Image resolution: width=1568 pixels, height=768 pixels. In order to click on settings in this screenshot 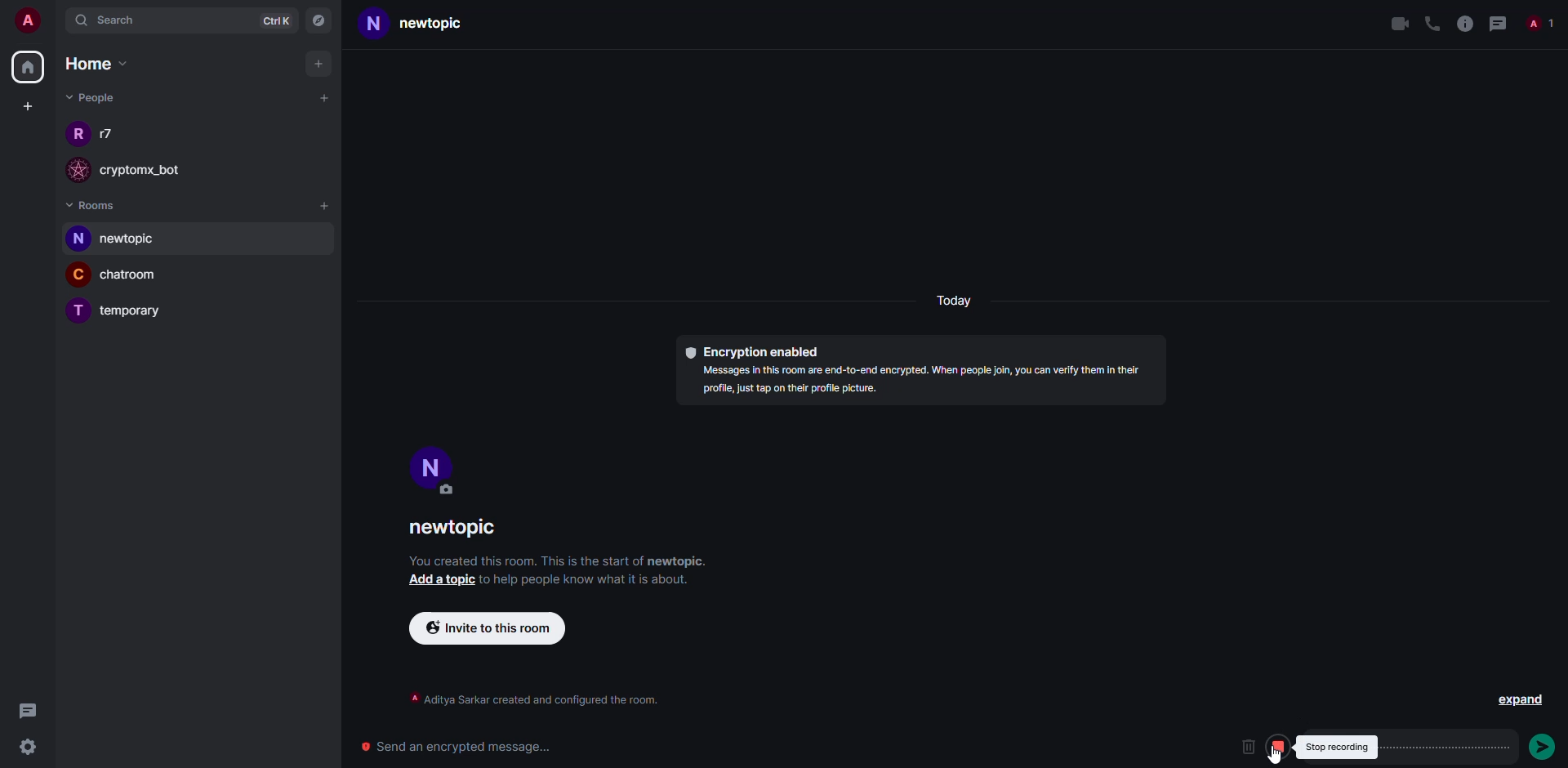, I will do `click(34, 748)`.